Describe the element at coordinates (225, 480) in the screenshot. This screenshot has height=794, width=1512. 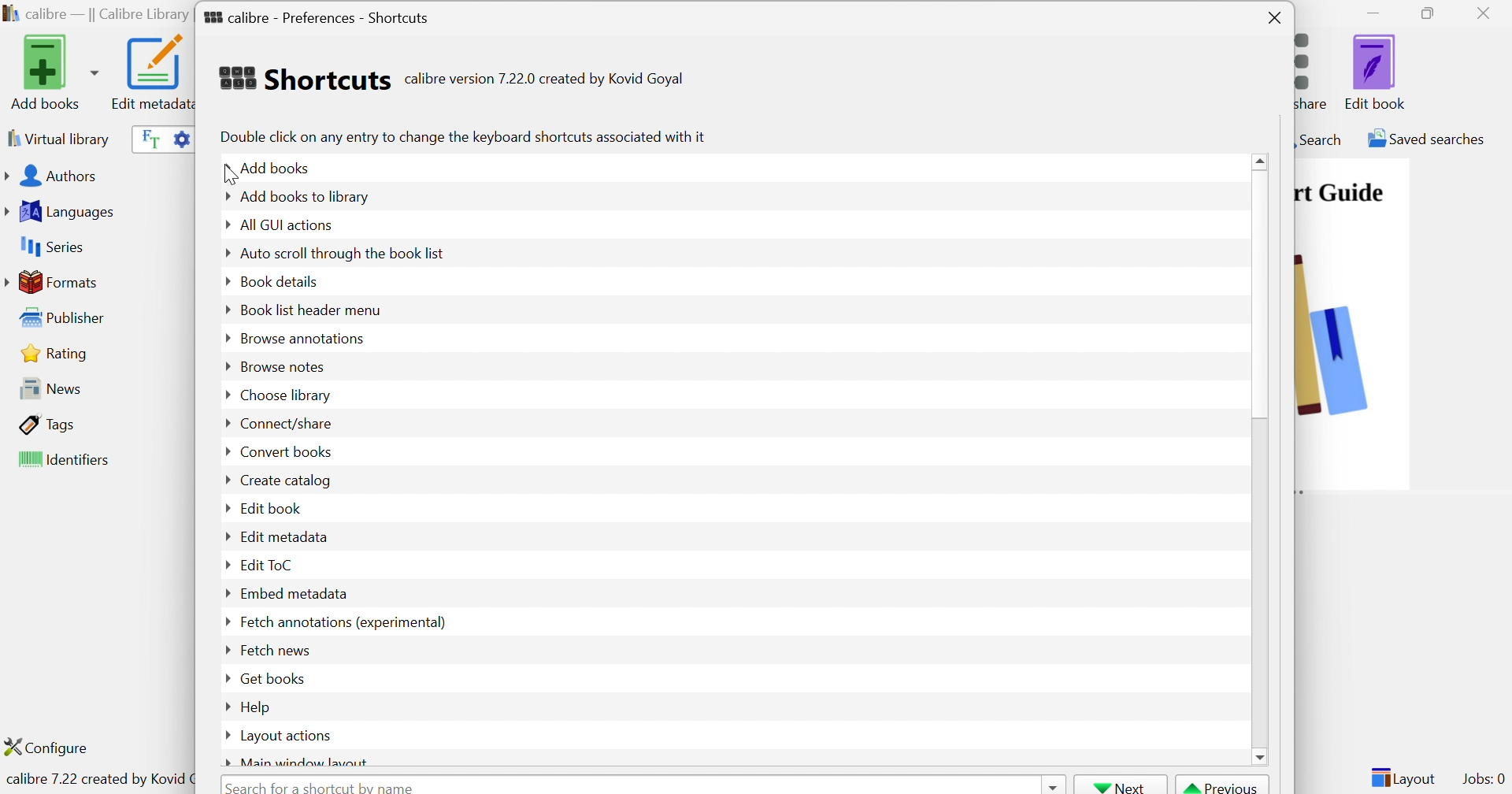
I see `Drop Down` at that location.